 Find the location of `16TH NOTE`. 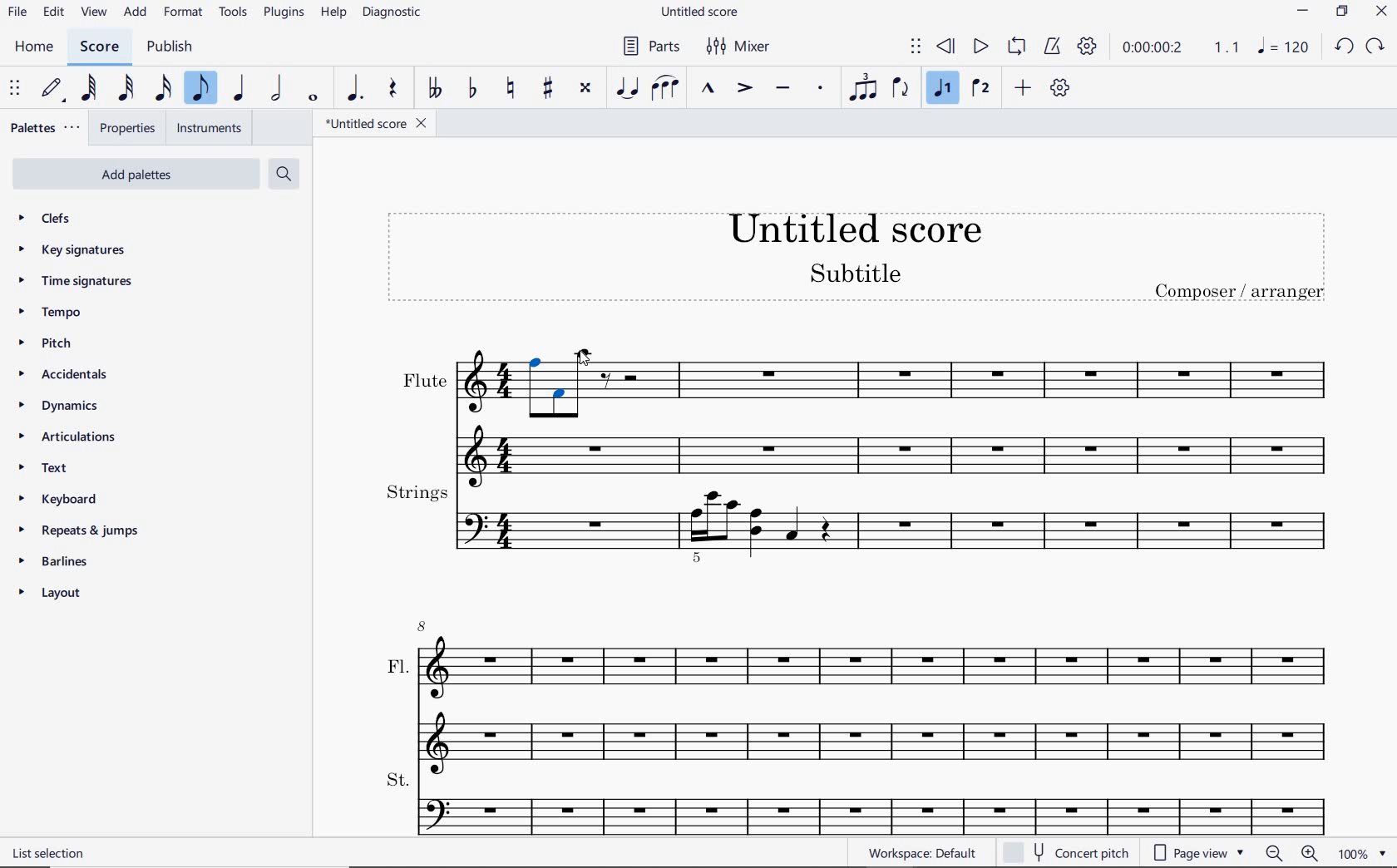

16TH NOTE is located at coordinates (163, 89).